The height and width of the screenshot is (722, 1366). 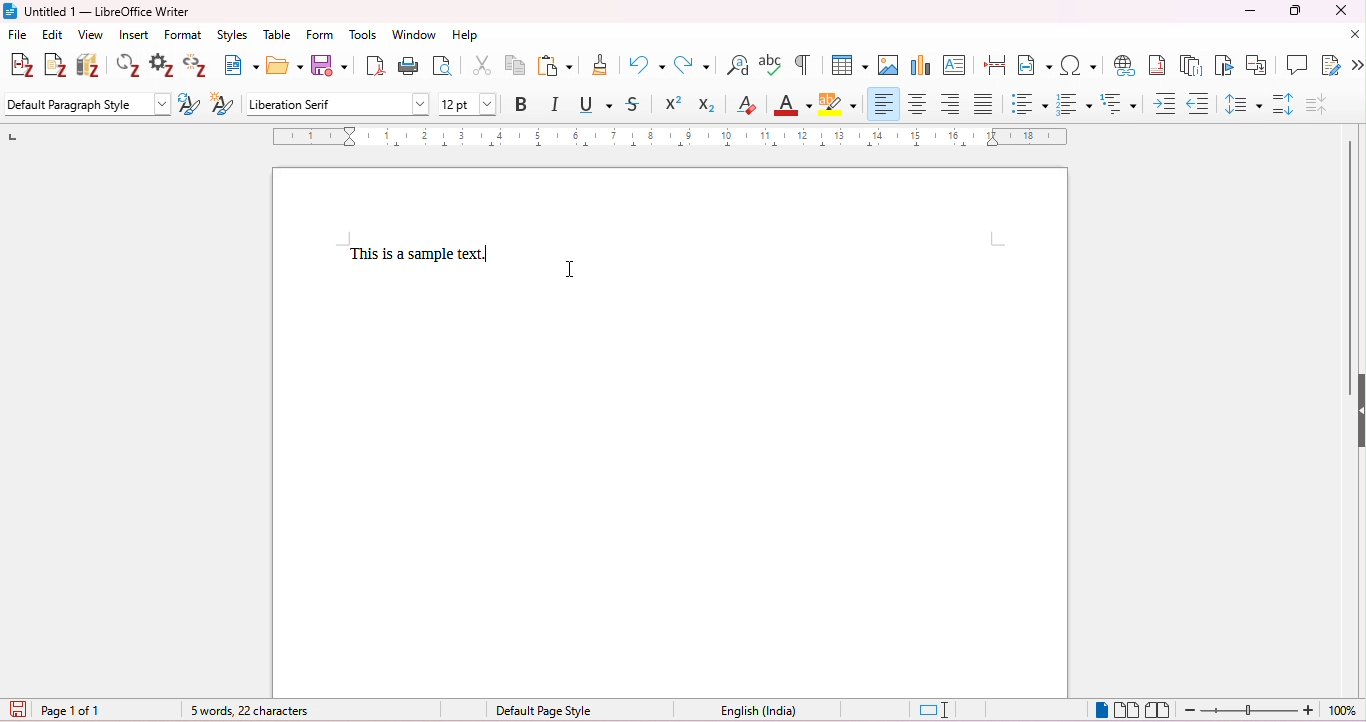 What do you see at coordinates (939, 710) in the screenshot?
I see `standard selection` at bounding box center [939, 710].